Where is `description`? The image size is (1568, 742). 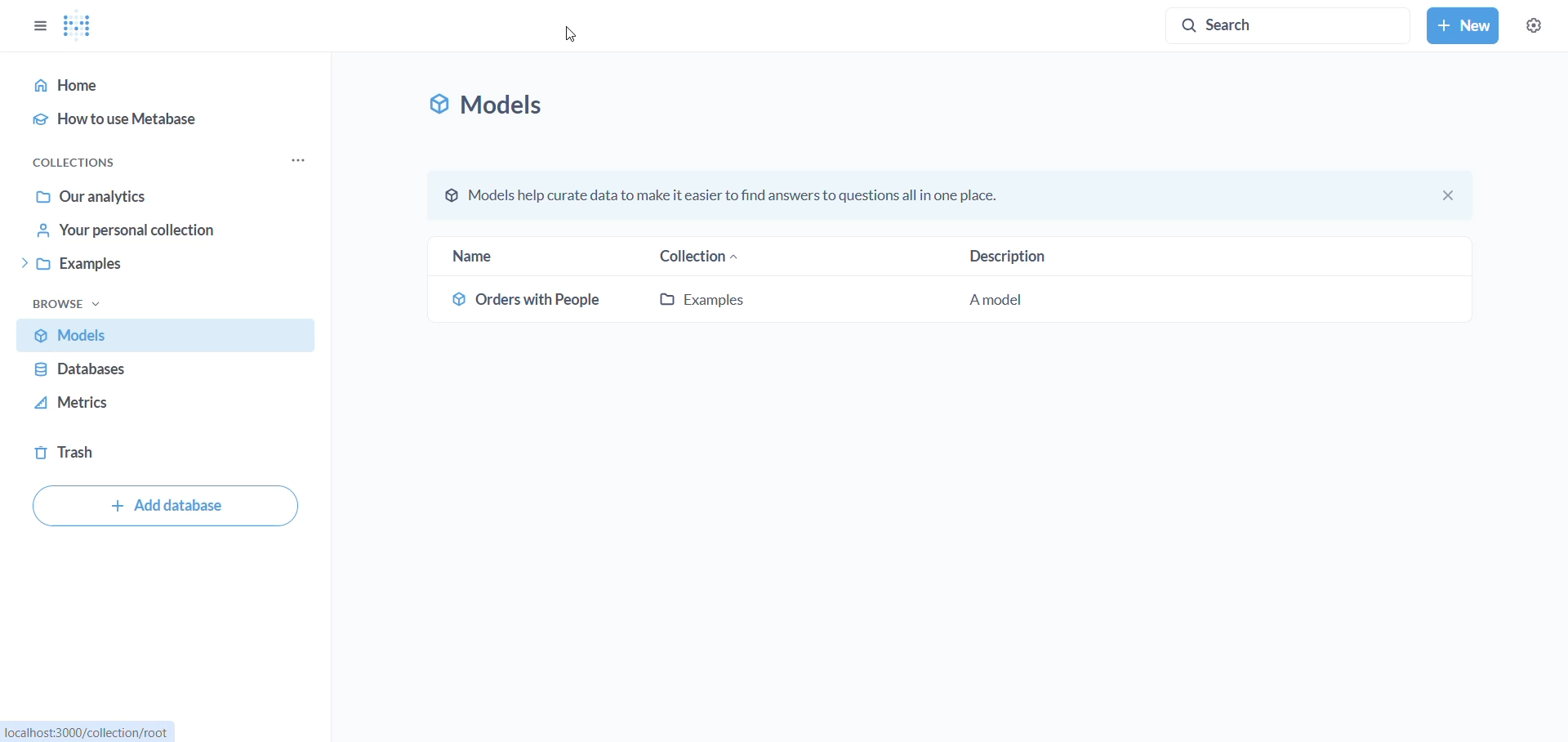 description is located at coordinates (1031, 255).